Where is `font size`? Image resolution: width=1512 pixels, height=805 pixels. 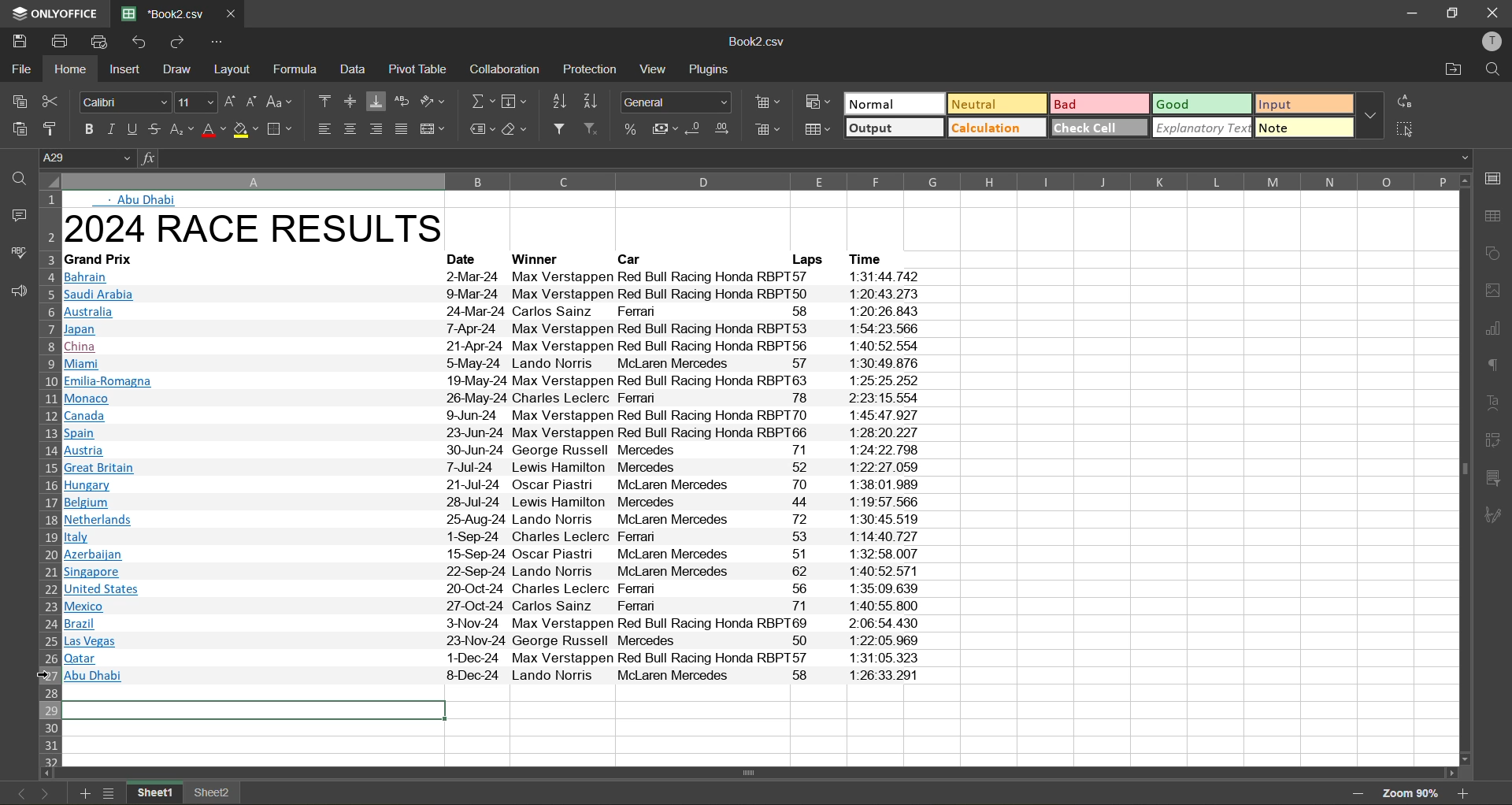
font size is located at coordinates (195, 102).